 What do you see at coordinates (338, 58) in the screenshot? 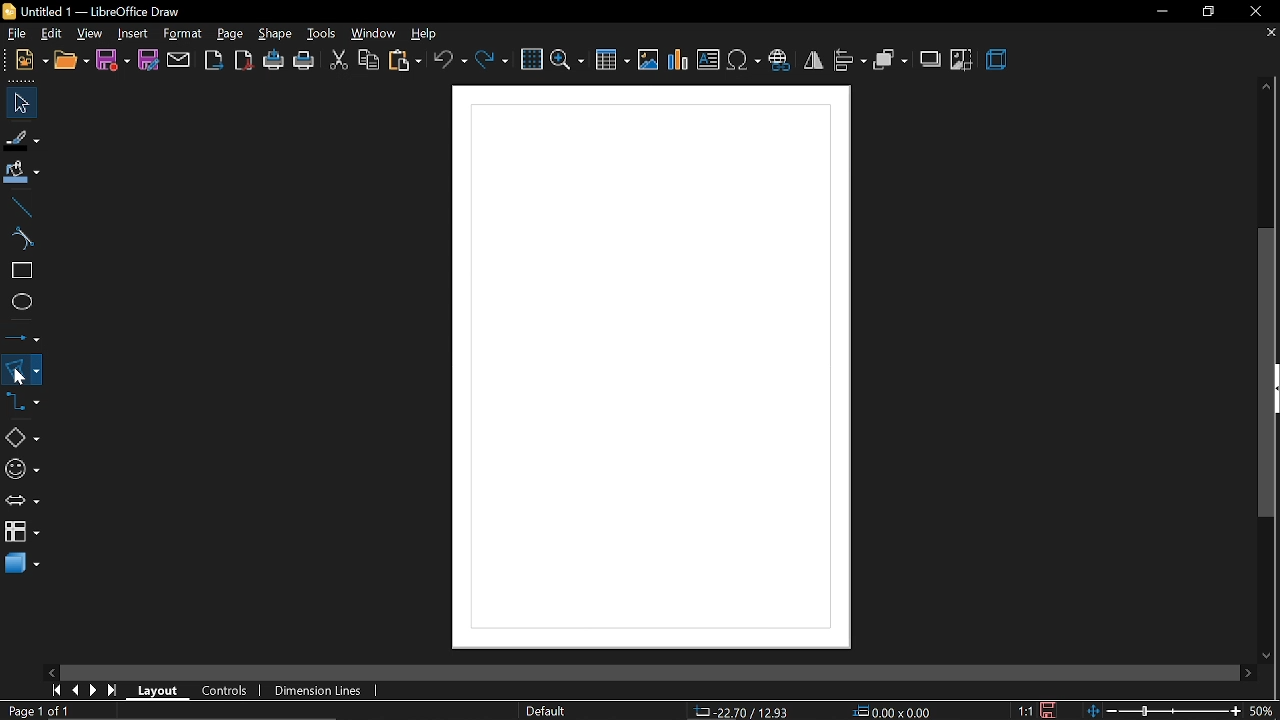
I see `cut ` at bounding box center [338, 58].